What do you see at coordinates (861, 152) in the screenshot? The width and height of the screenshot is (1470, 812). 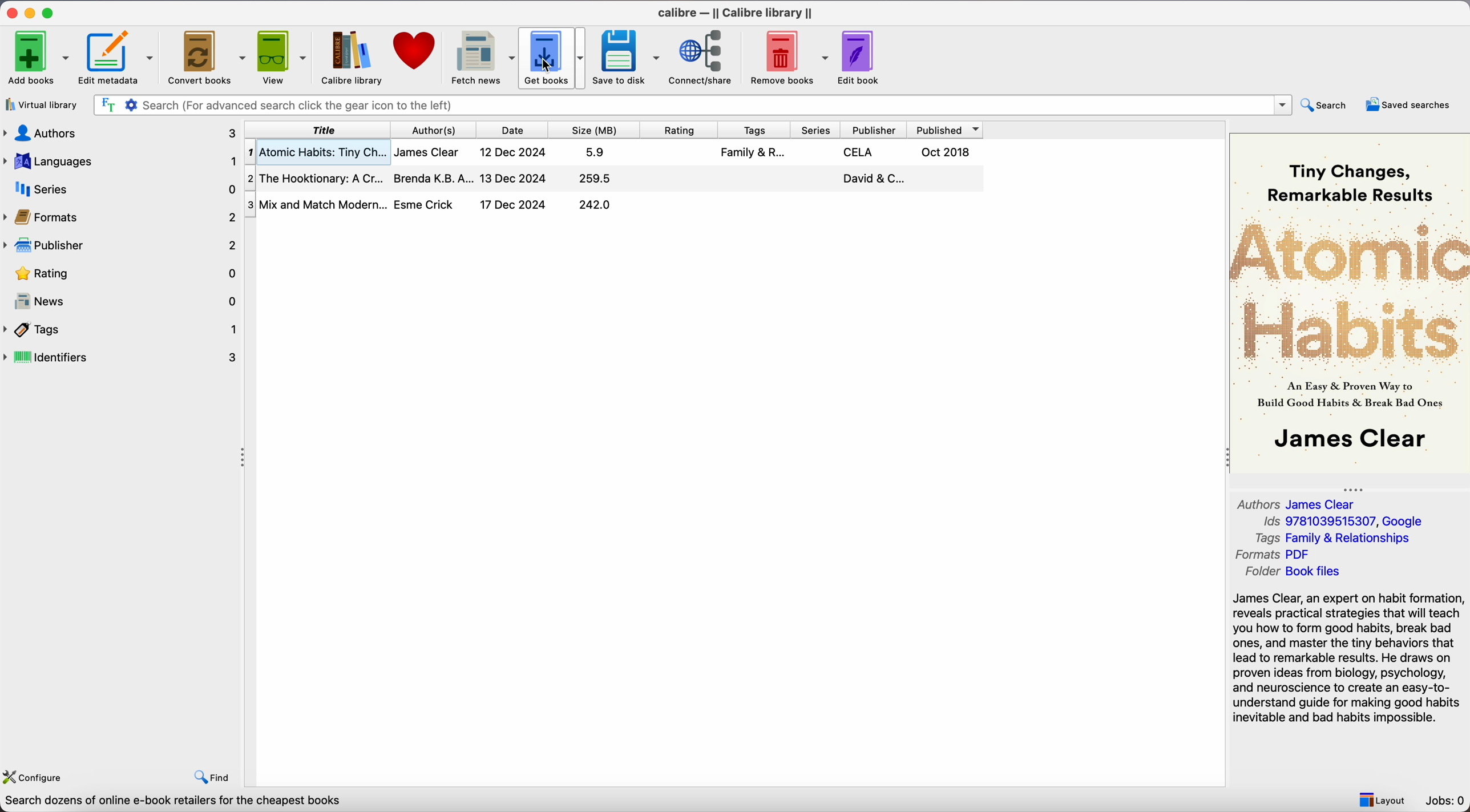 I see `CELA` at bounding box center [861, 152].